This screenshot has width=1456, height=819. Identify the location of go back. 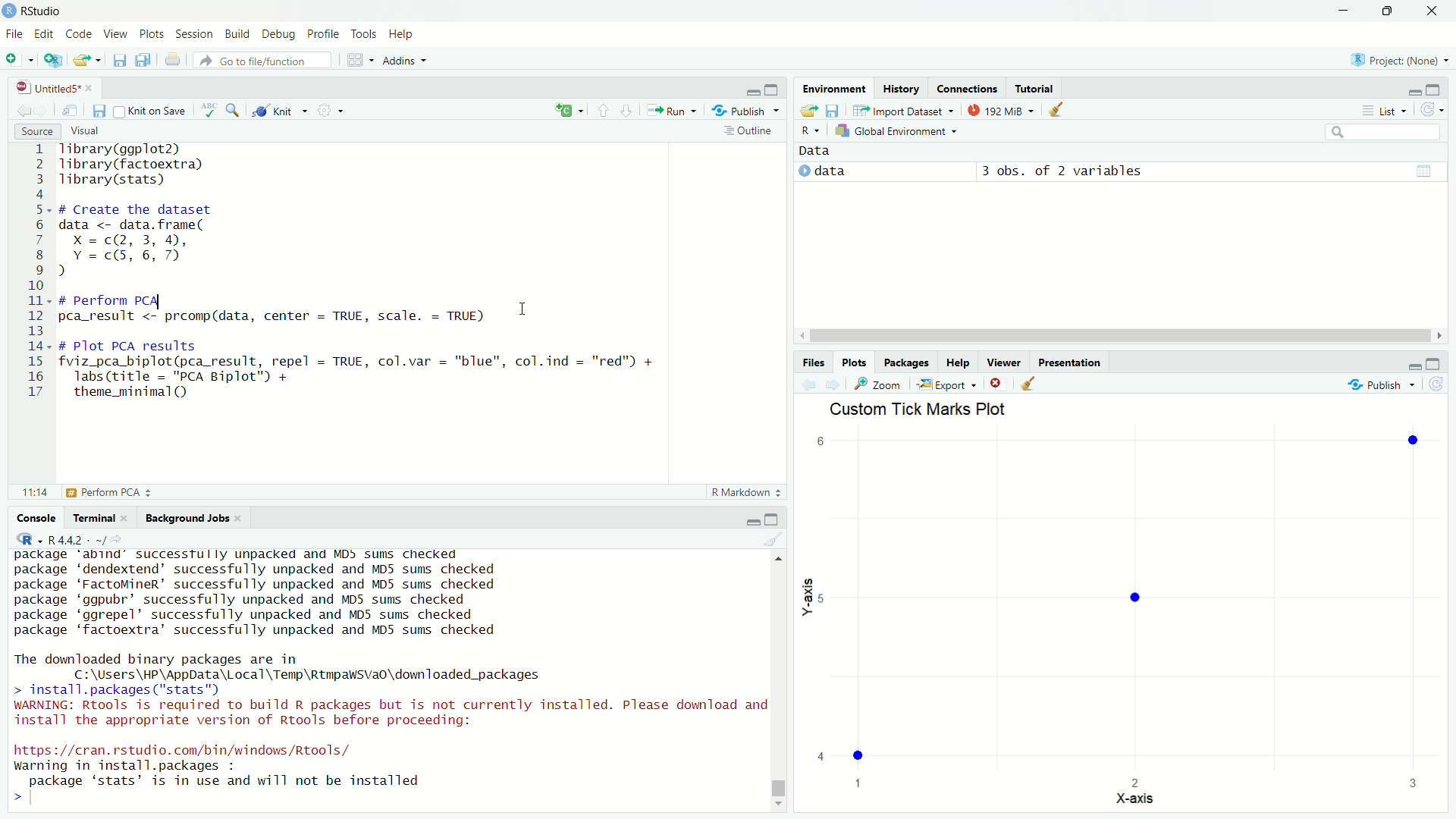
(811, 384).